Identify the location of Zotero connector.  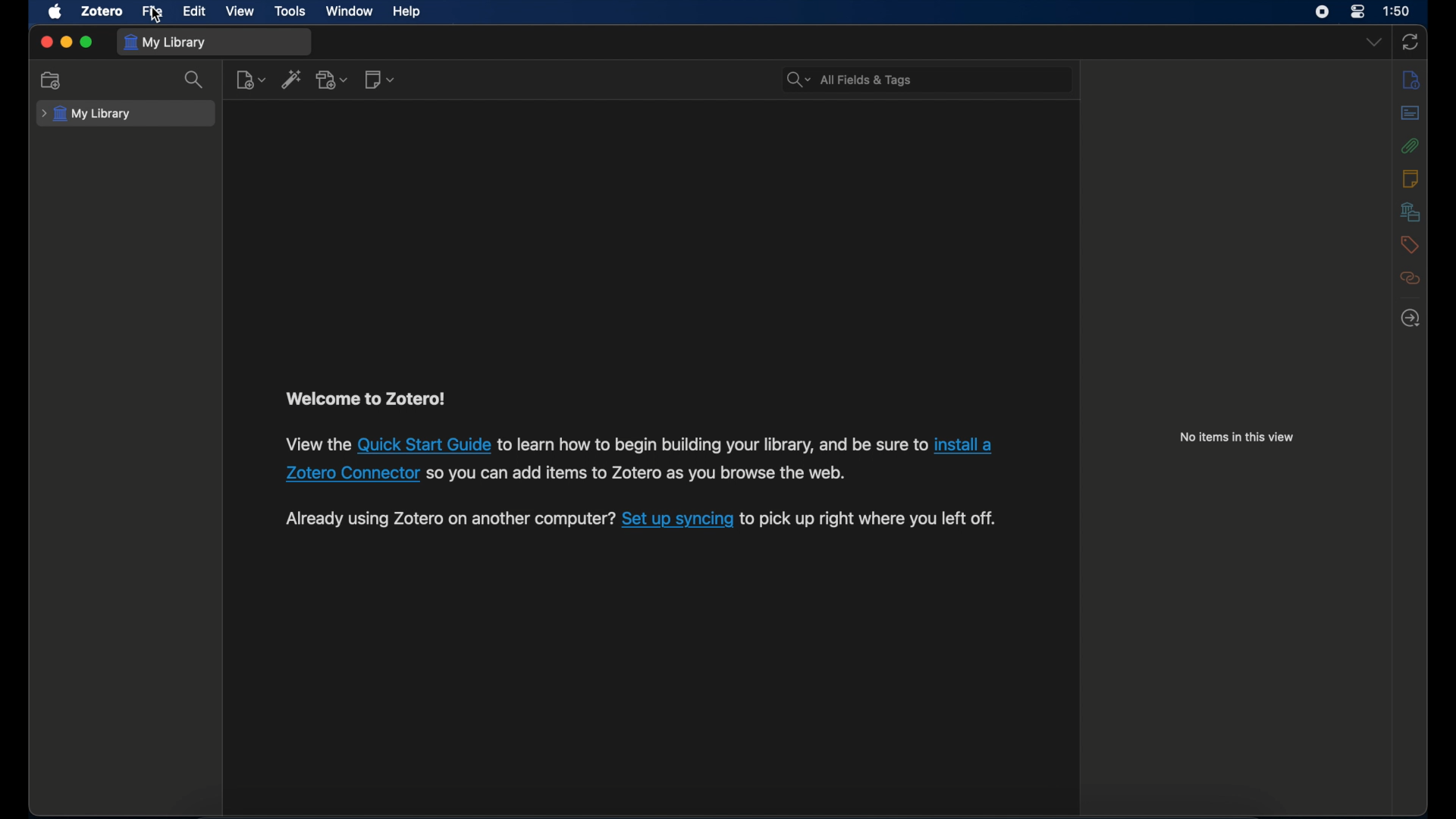
(352, 475).